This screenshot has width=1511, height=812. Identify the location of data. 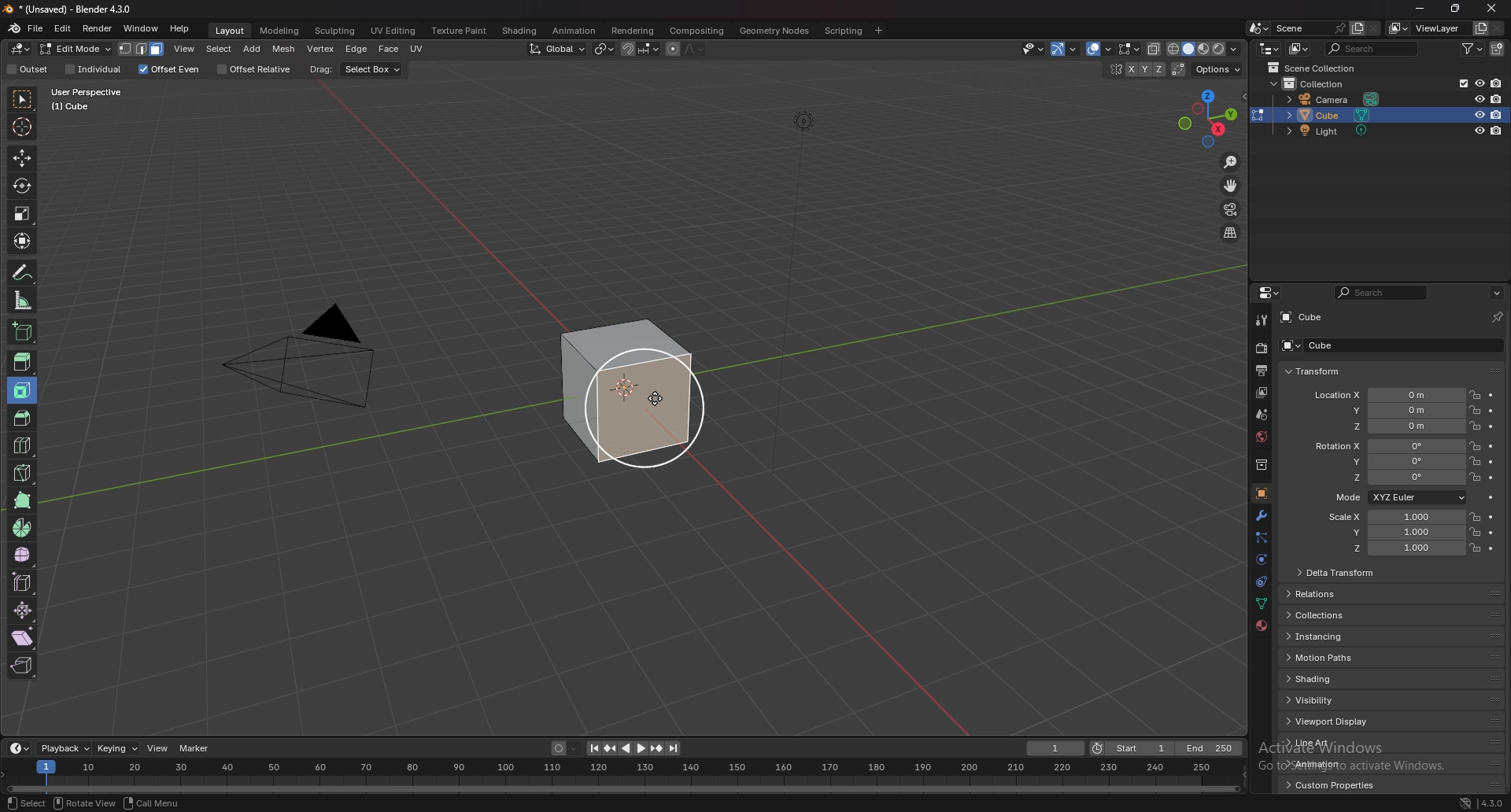
(1260, 605).